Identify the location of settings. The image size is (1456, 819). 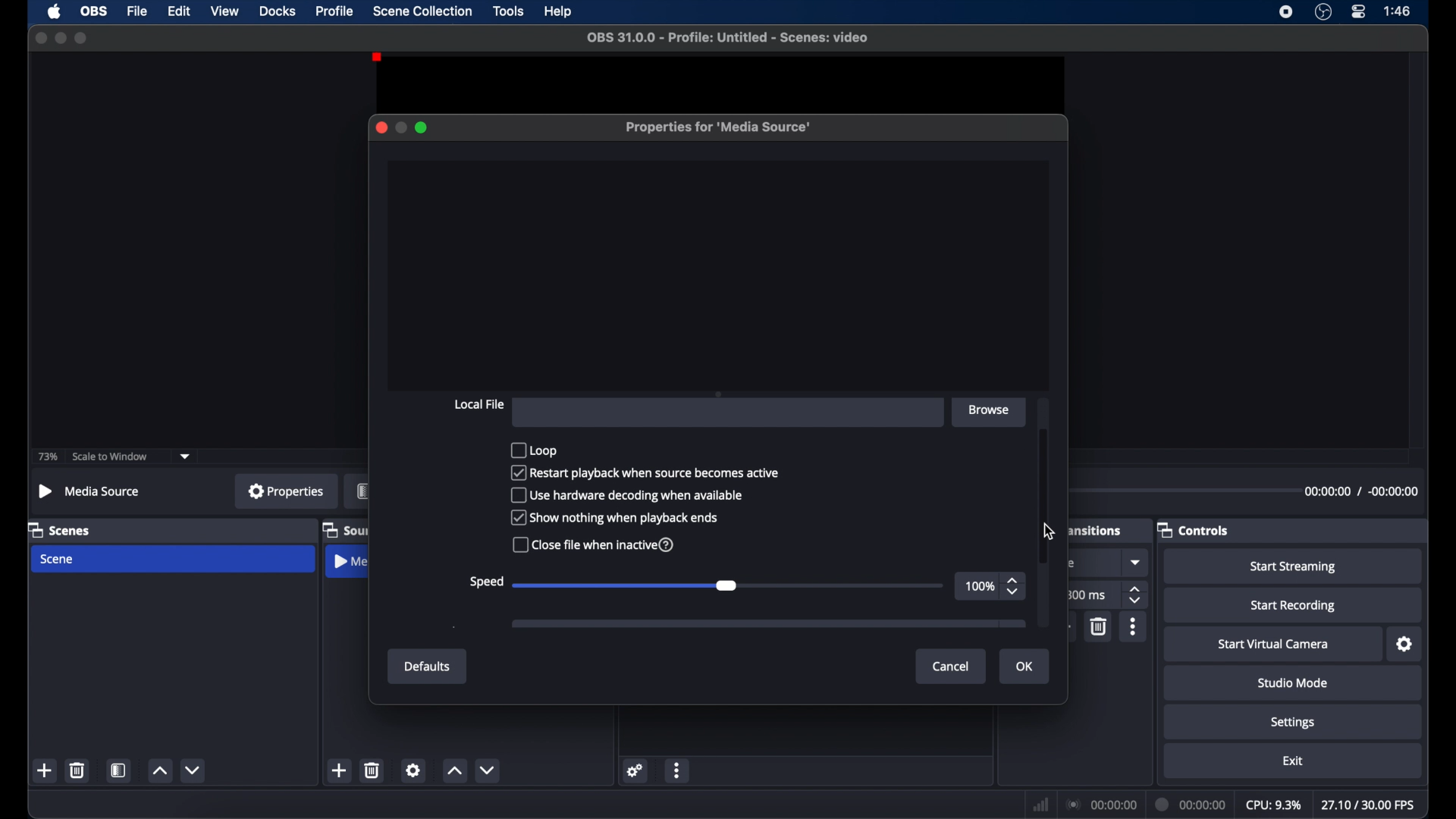
(1294, 723).